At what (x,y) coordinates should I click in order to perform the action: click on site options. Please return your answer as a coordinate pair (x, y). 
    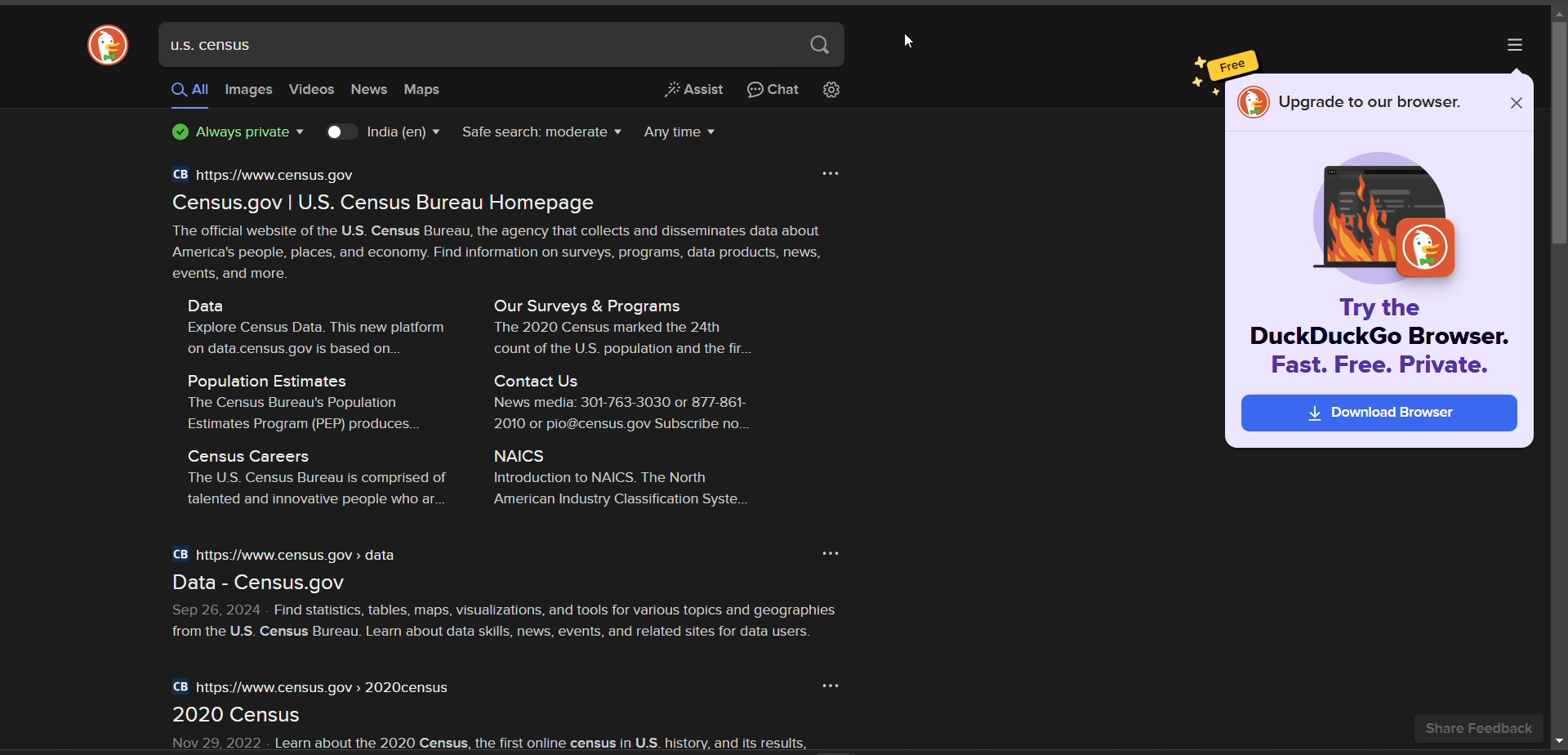
    Looking at the image, I should click on (834, 172).